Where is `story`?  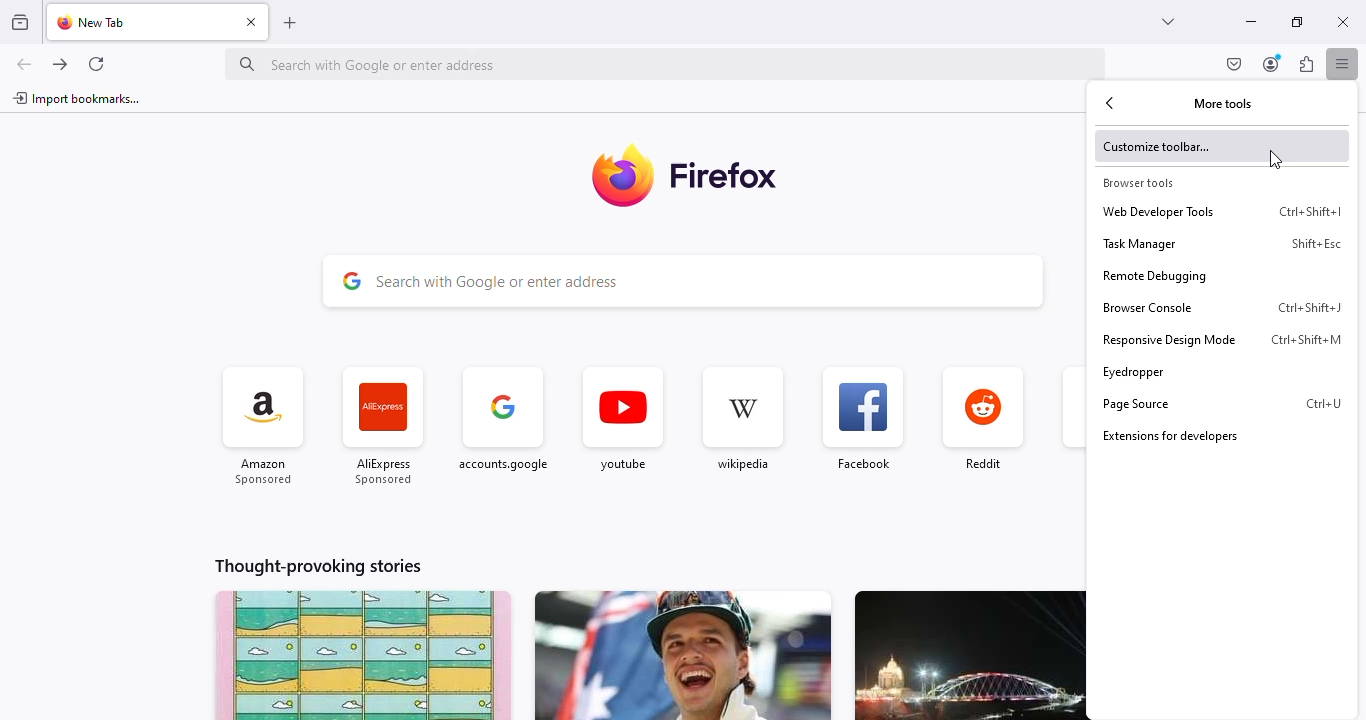 story is located at coordinates (682, 655).